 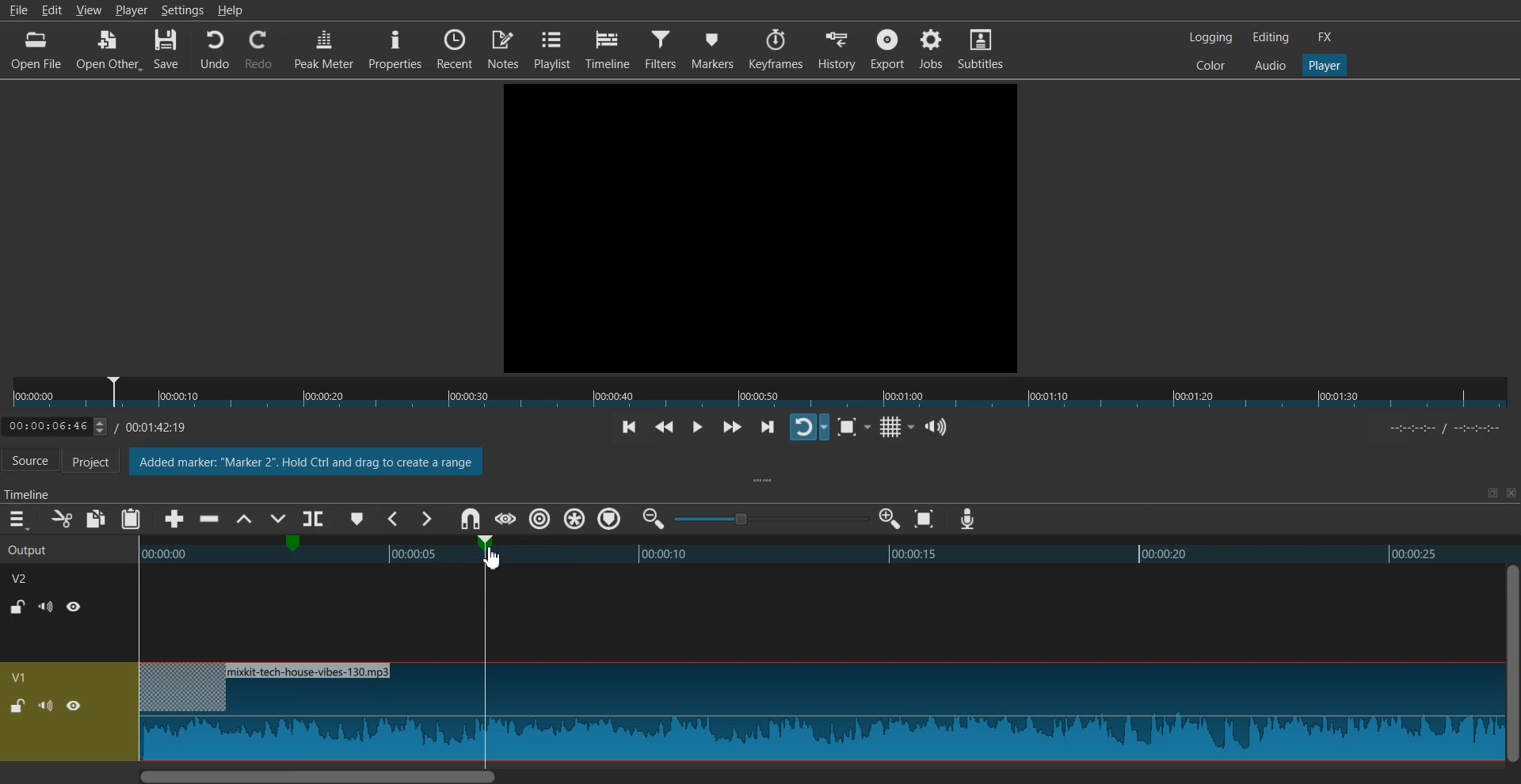 What do you see at coordinates (74, 606) in the screenshot?
I see `Hide` at bounding box center [74, 606].